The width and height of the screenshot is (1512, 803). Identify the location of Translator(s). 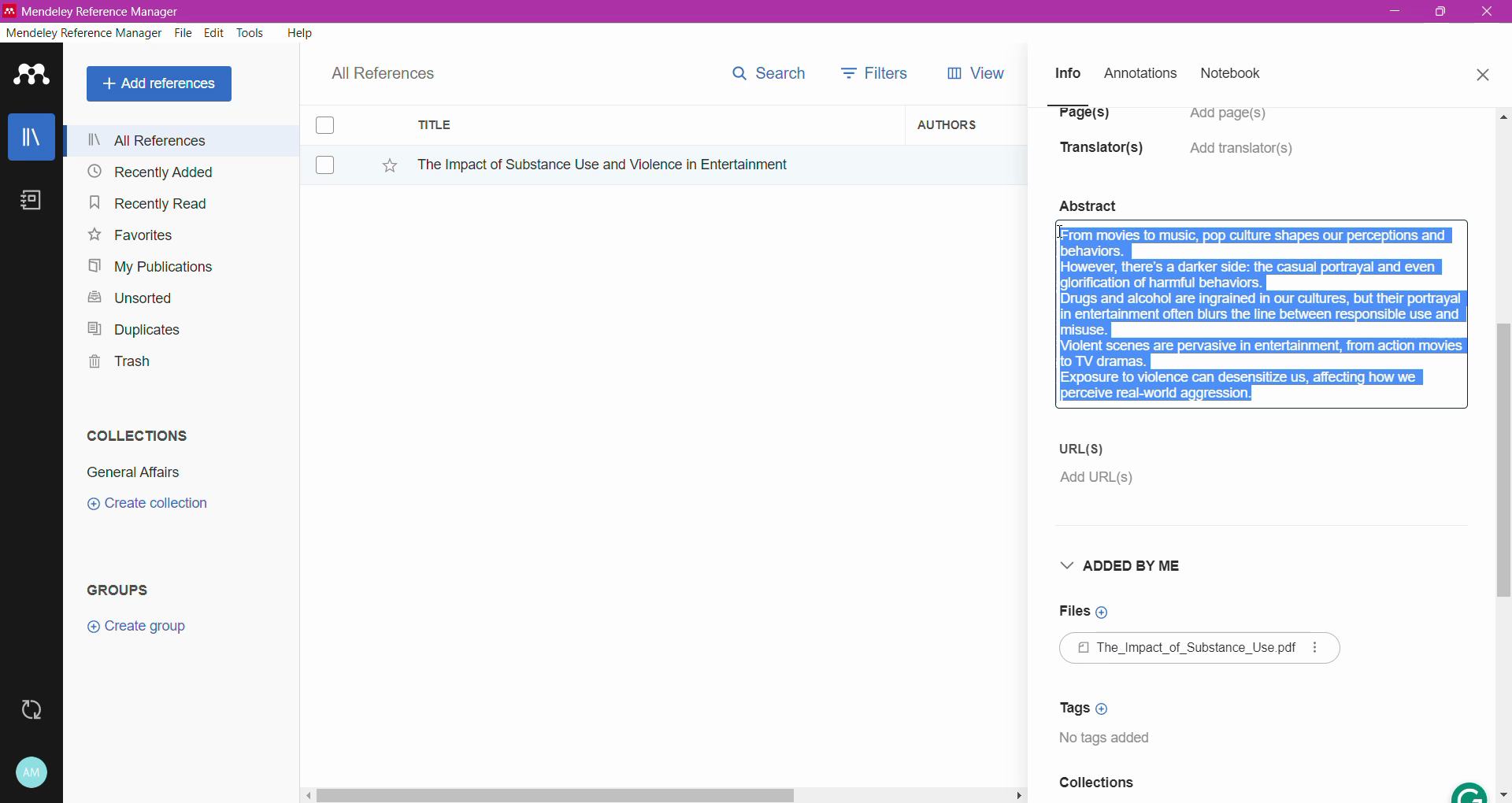
(1106, 155).